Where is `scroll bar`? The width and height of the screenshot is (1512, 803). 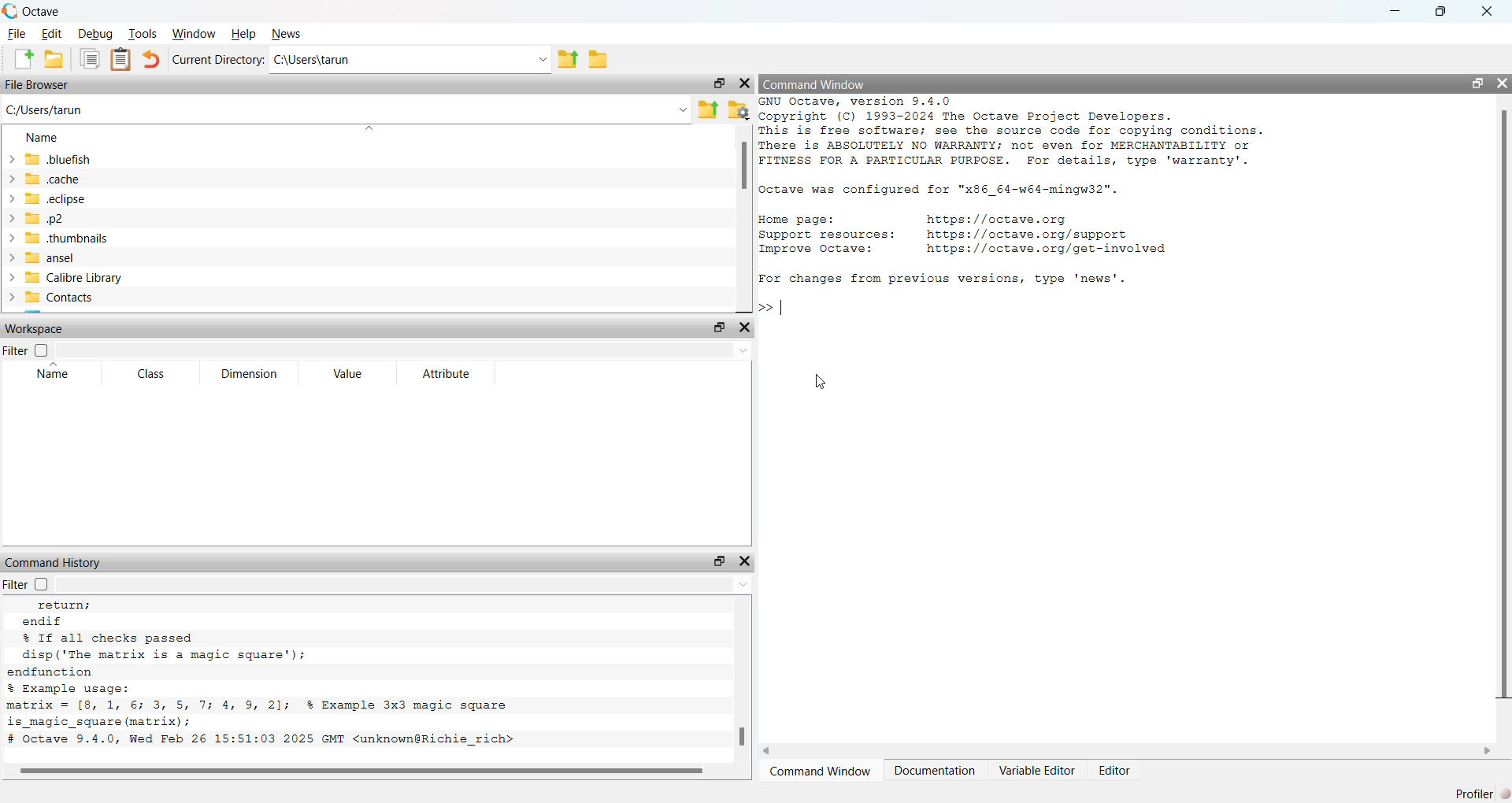 scroll bar is located at coordinates (1504, 407).